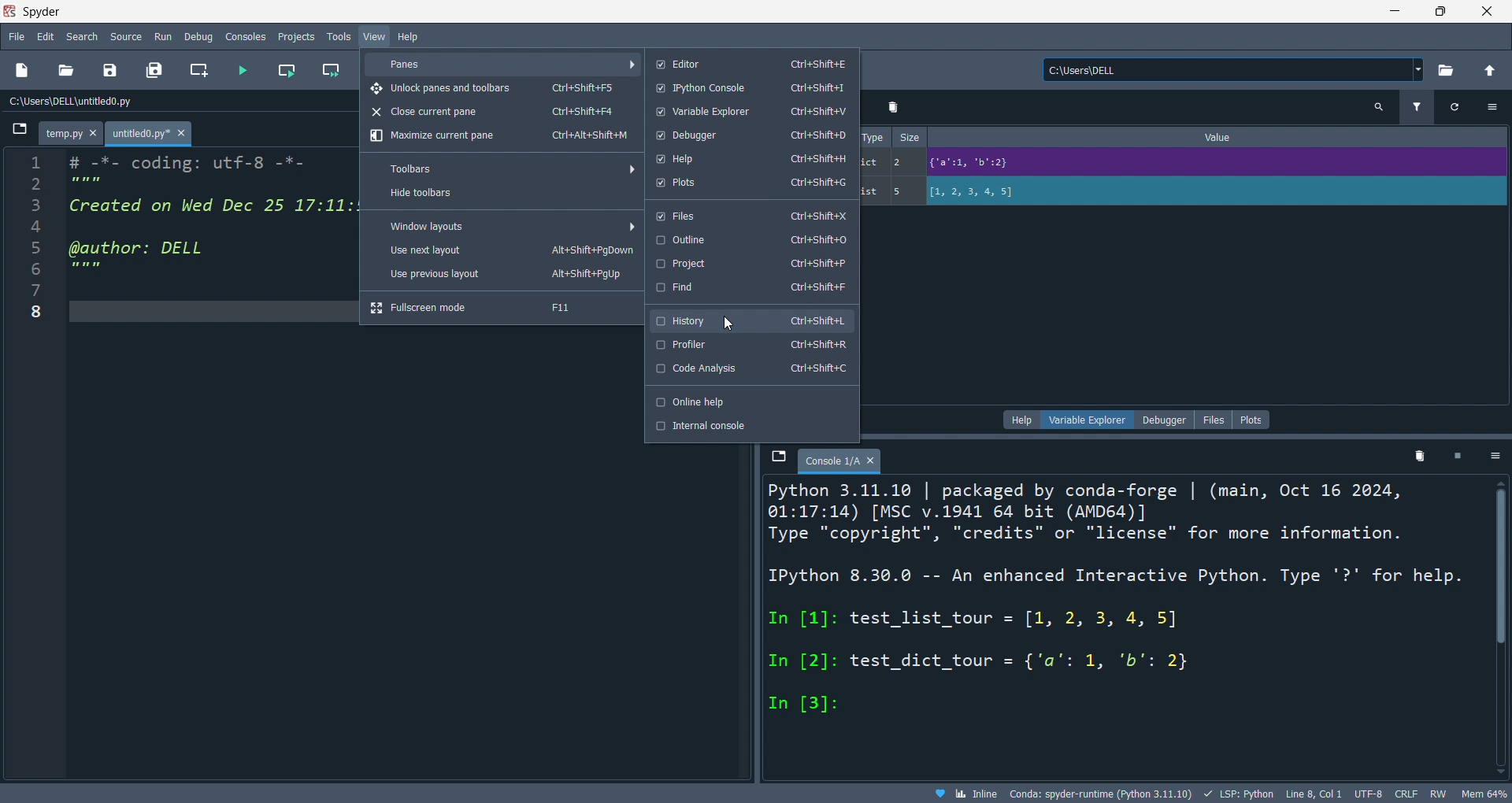 Image resolution: width=1512 pixels, height=803 pixels. I want to click on online help, so click(750, 401).